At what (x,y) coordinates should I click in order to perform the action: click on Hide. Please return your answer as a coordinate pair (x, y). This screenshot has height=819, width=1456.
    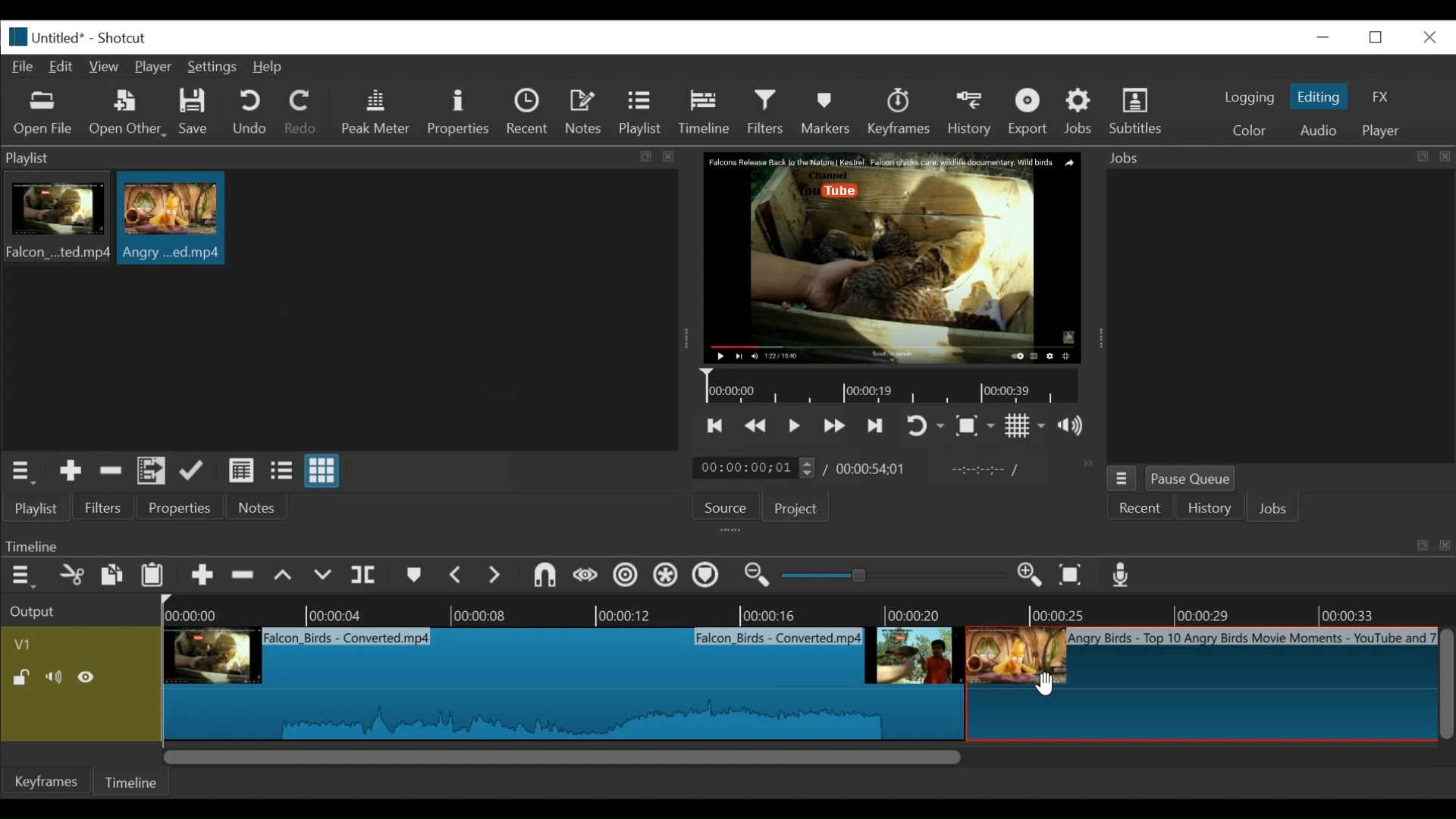
    Looking at the image, I should click on (90, 677).